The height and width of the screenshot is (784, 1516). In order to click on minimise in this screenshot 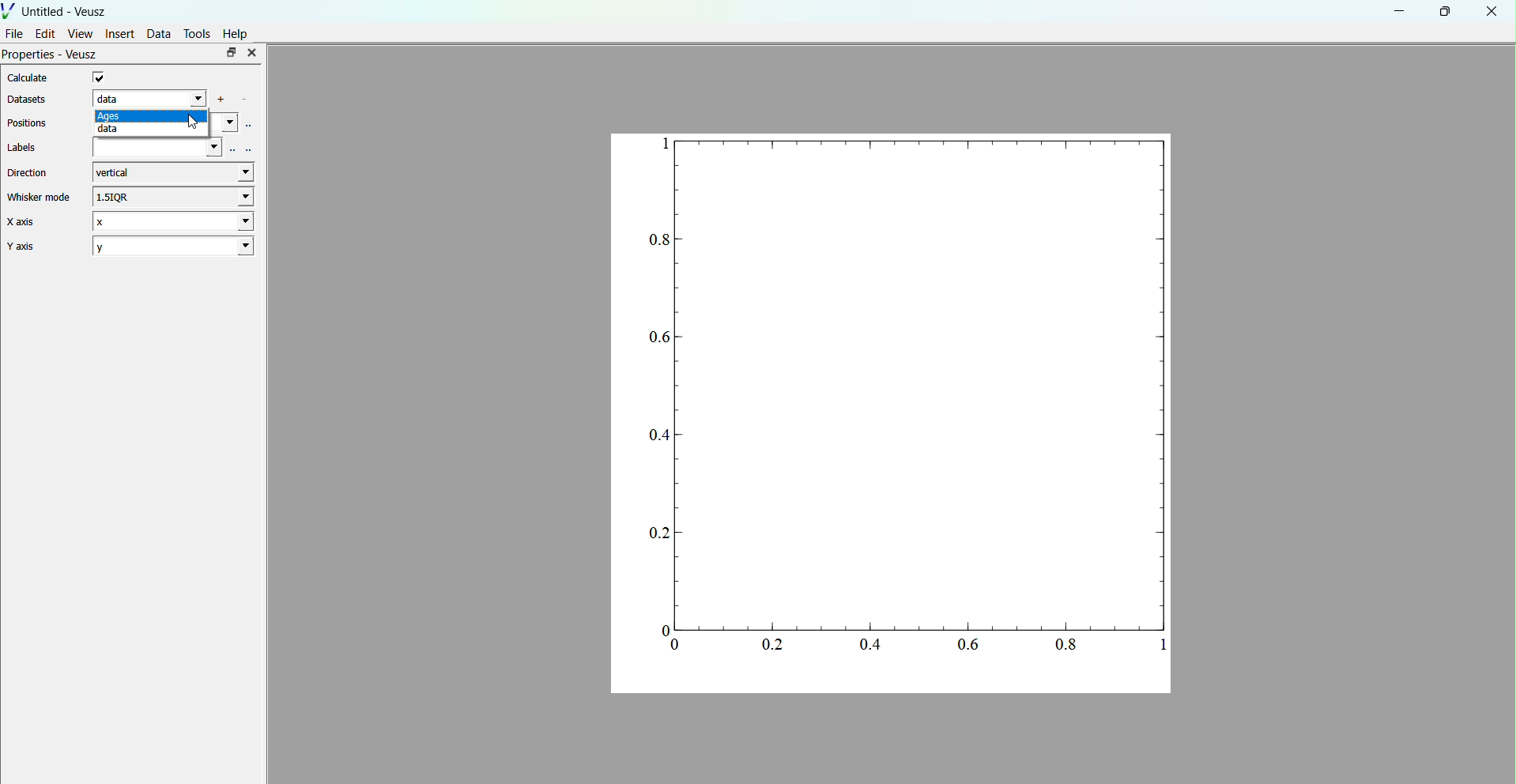, I will do `click(1400, 10)`.